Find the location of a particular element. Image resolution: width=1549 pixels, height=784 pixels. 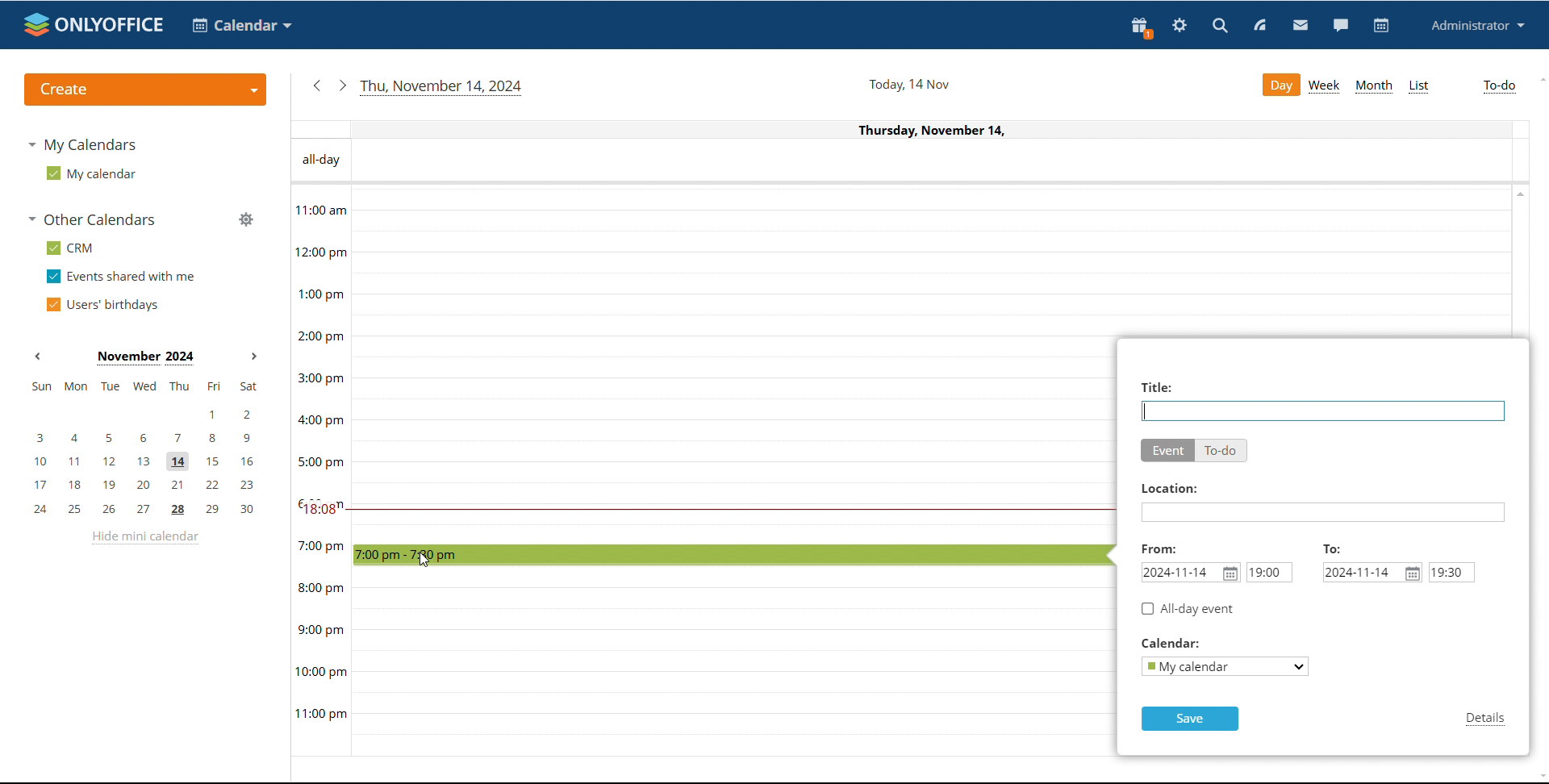

previous date is located at coordinates (319, 86).